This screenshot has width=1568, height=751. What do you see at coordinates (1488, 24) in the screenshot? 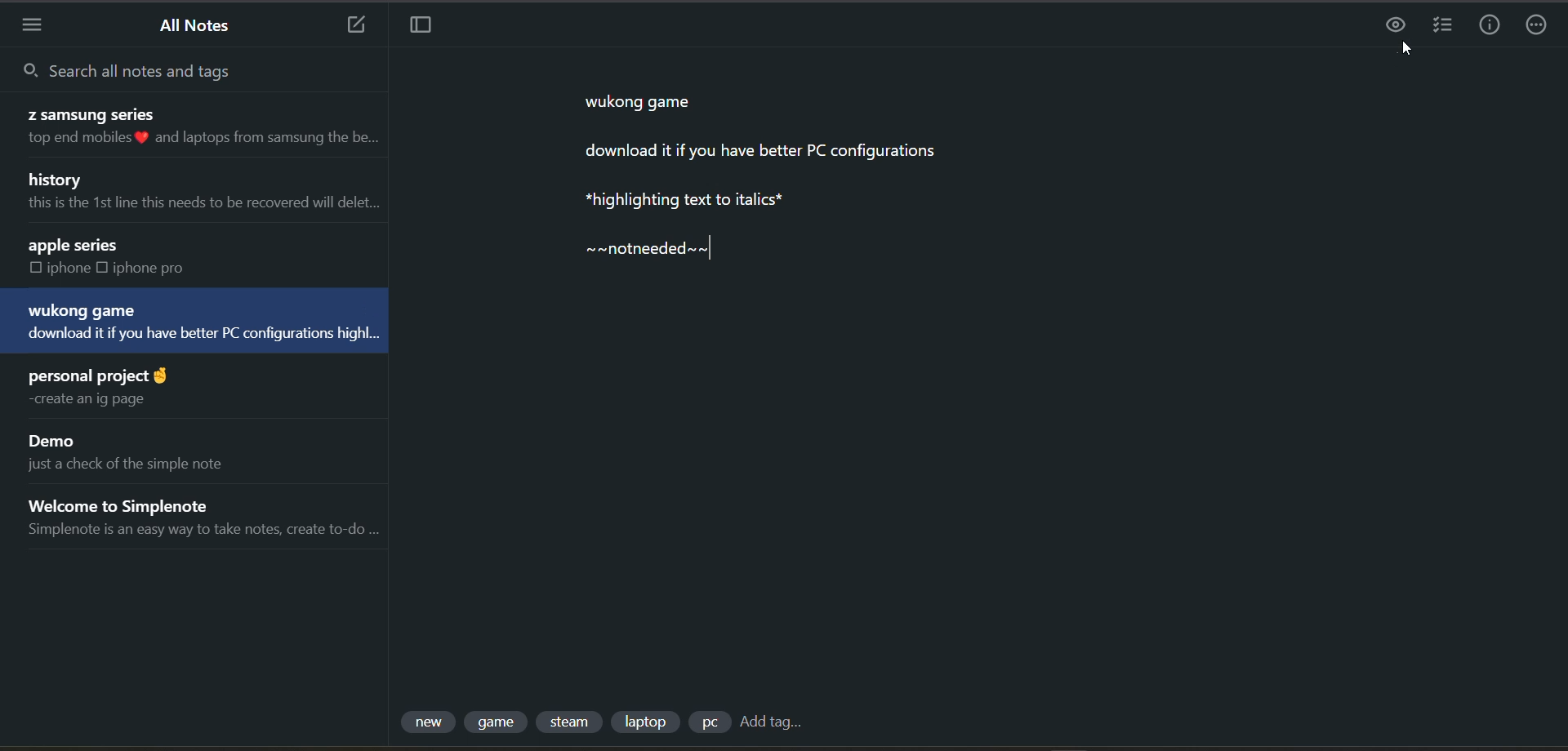
I see `info` at bounding box center [1488, 24].